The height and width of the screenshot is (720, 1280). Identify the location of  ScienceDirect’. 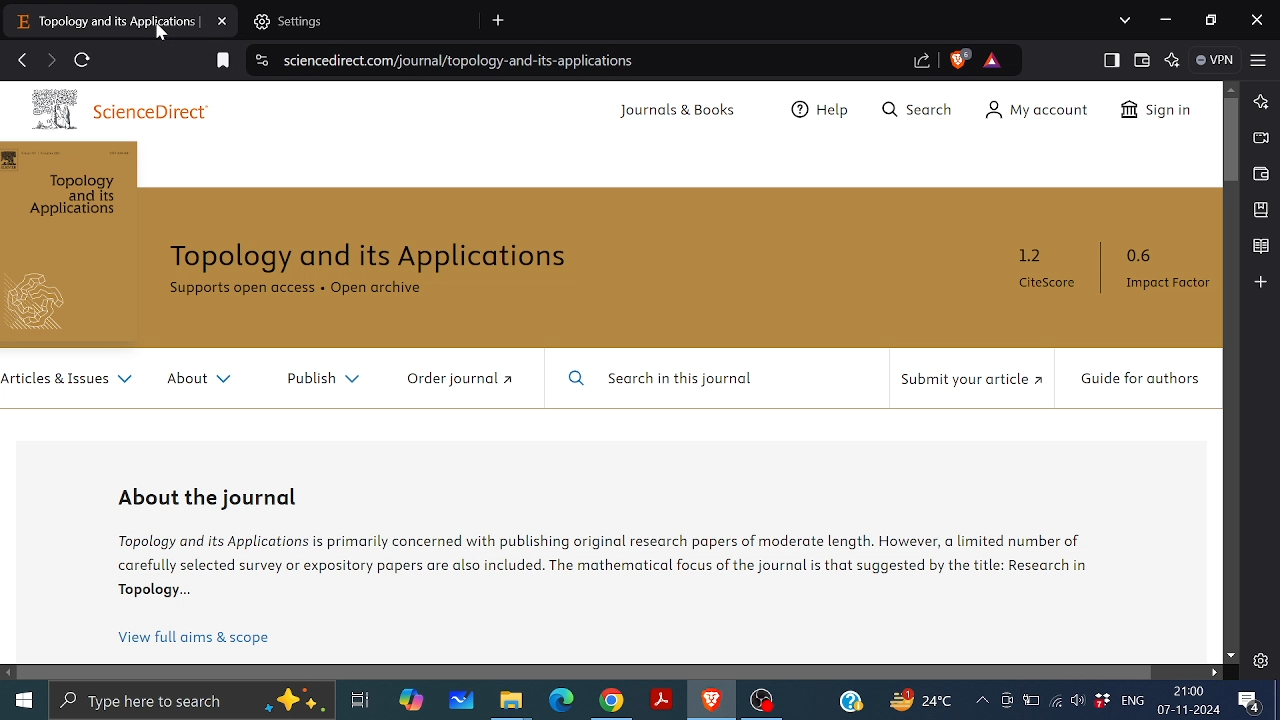
(170, 112).